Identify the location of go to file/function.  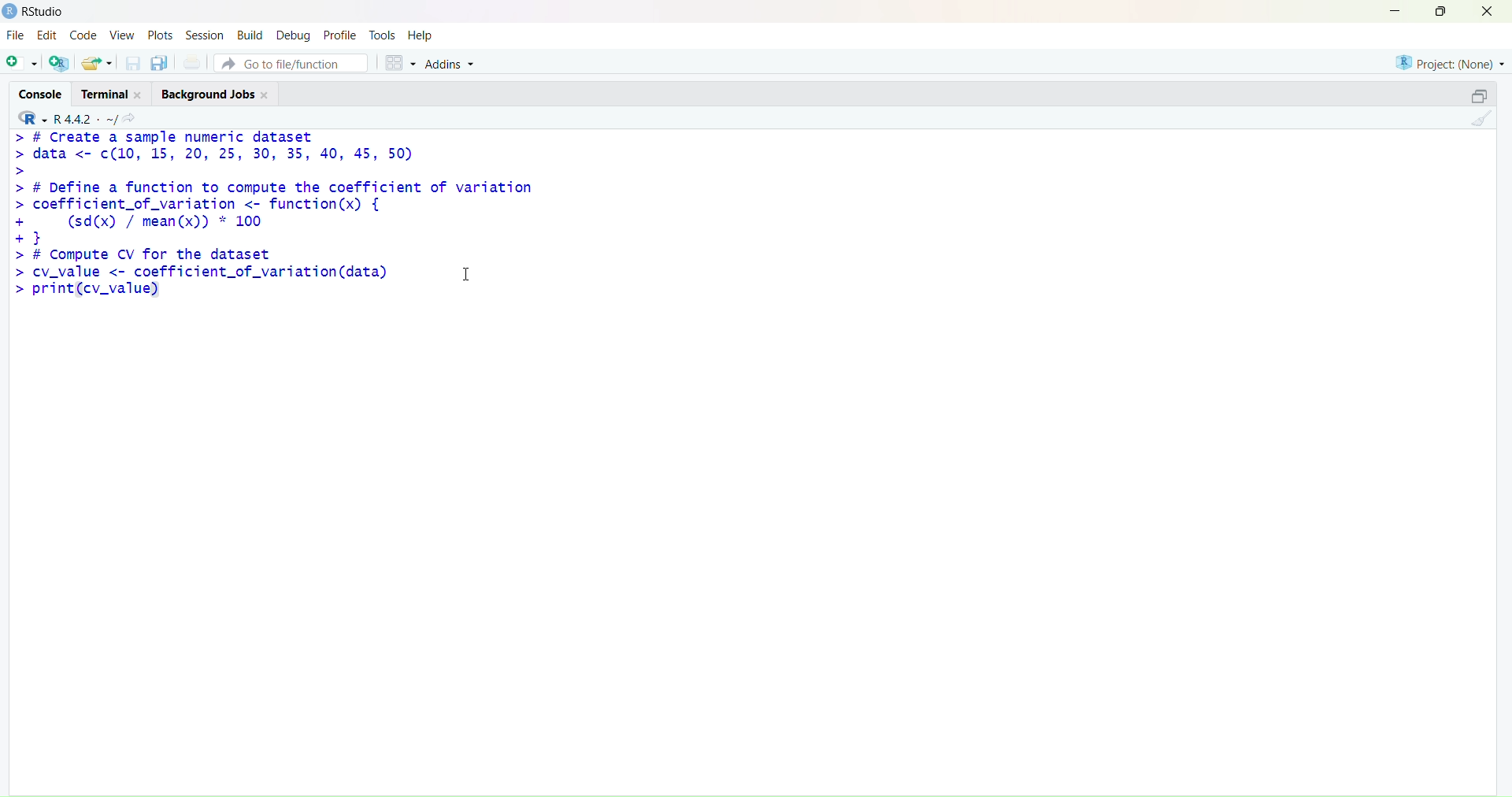
(291, 64).